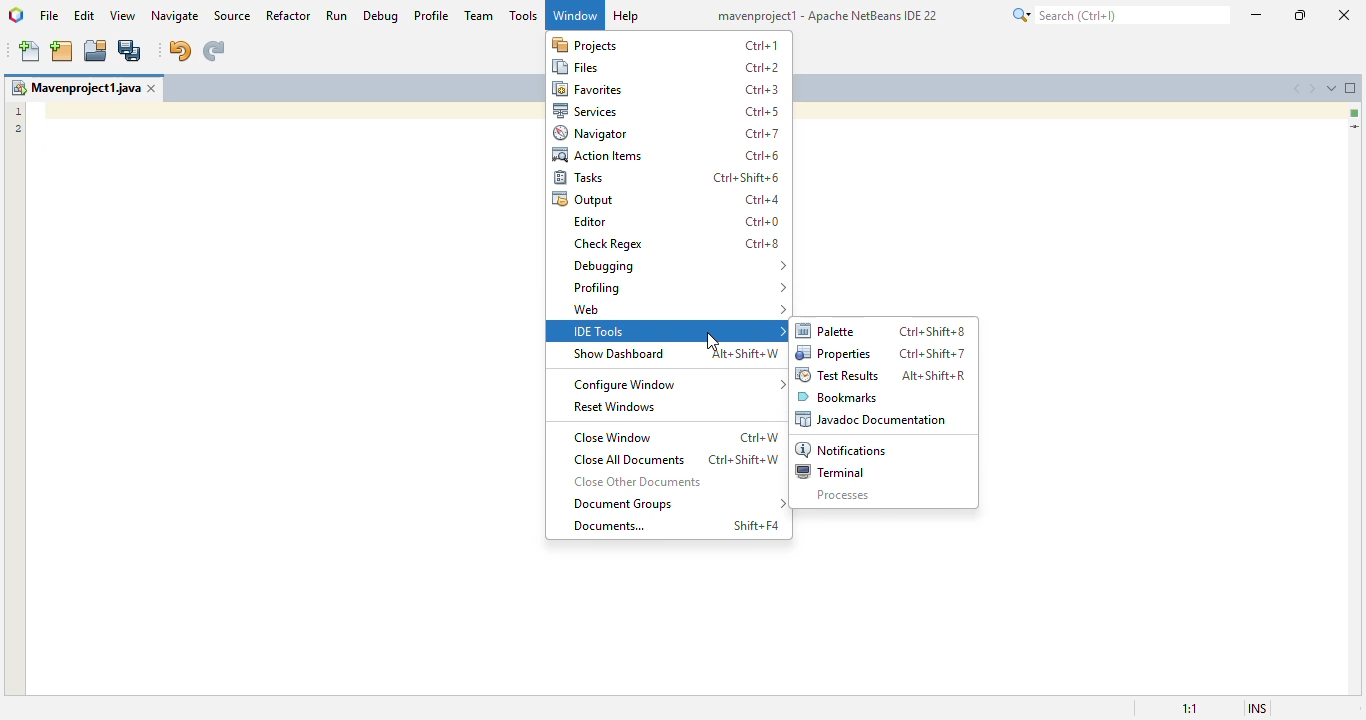 Image resolution: width=1366 pixels, height=720 pixels. Describe the element at coordinates (932, 331) in the screenshot. I see `shortcut for palette` at that location.